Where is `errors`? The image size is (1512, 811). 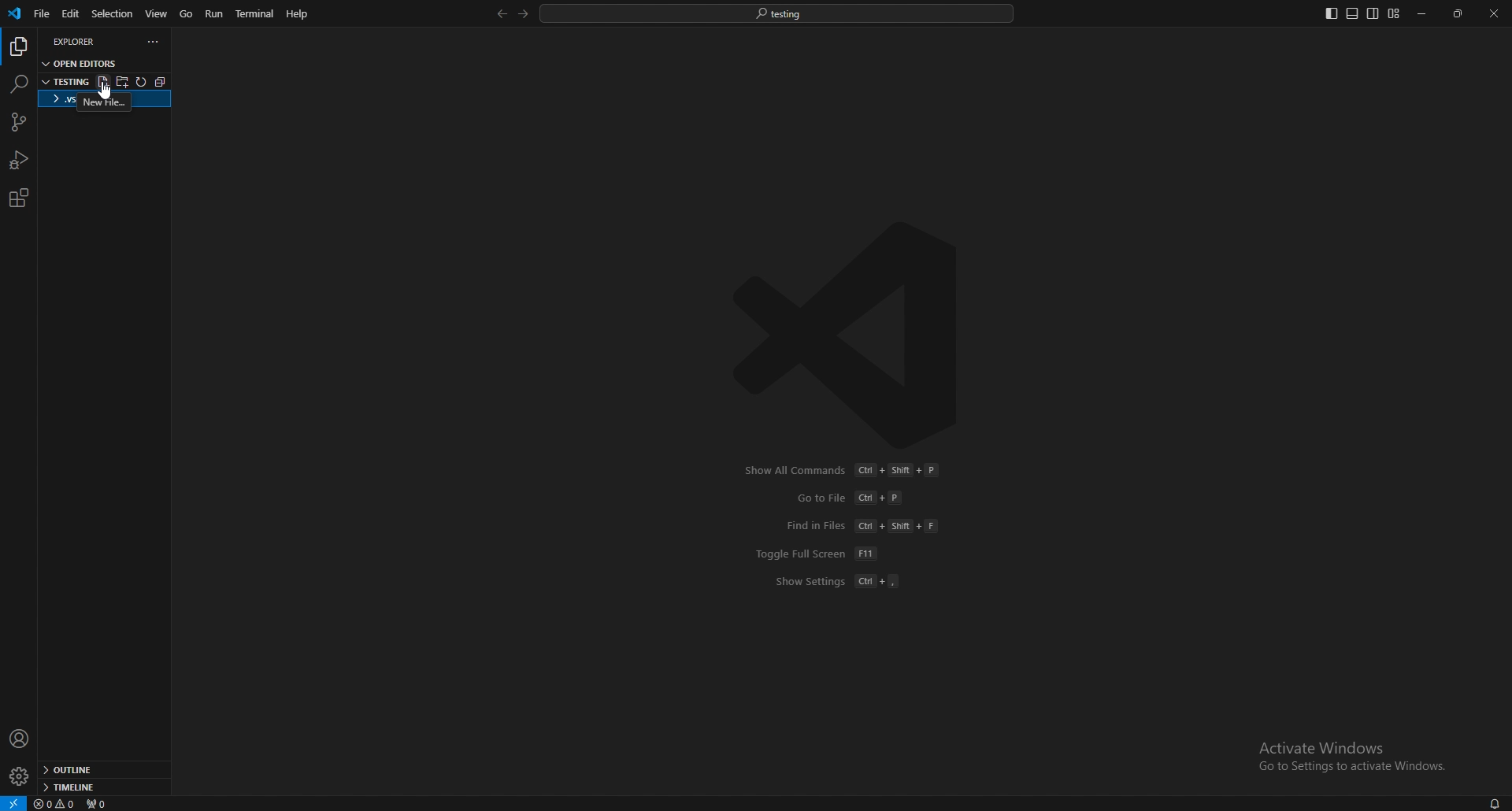
errors is located at coordinates (56, 805).